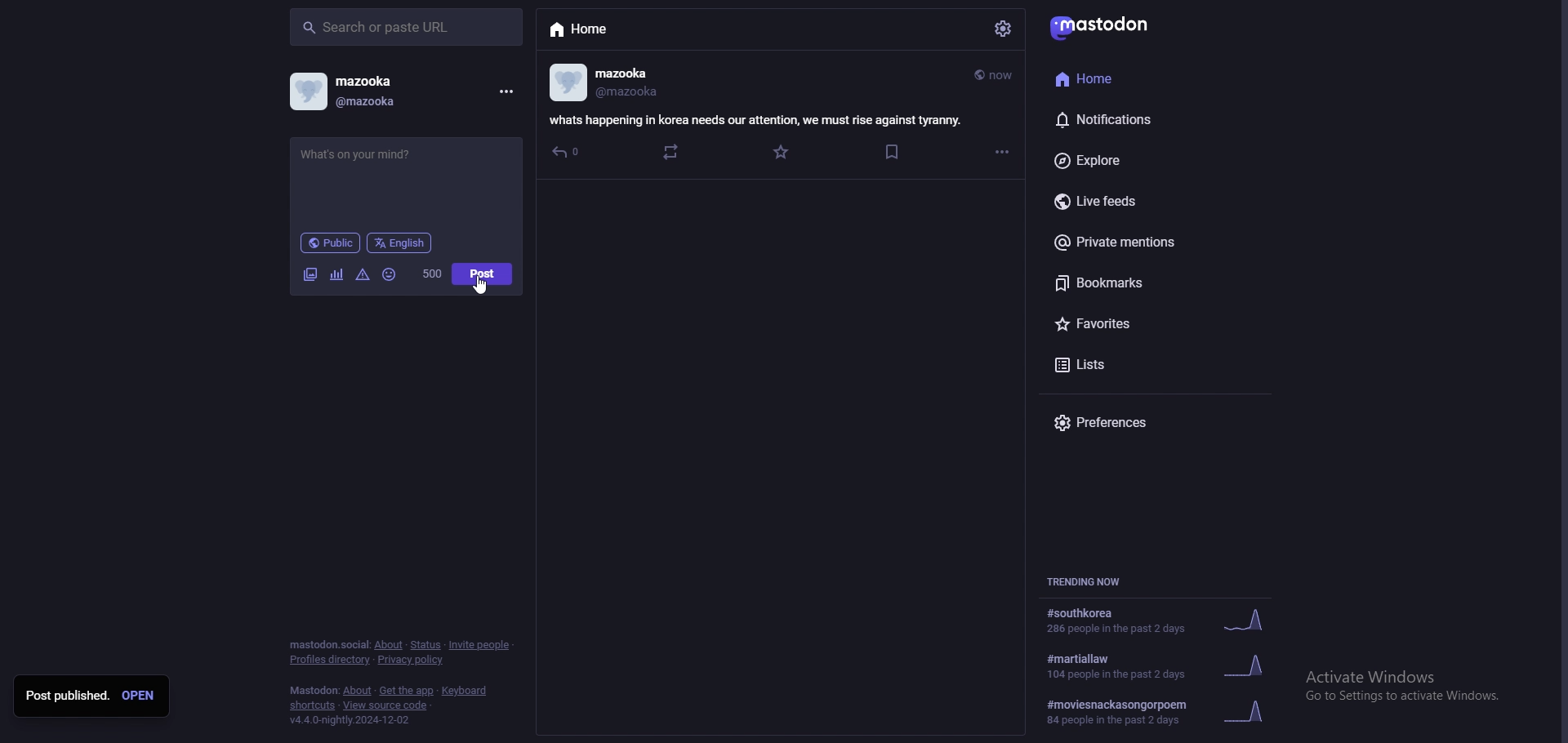  What do you see at coordinates (1090, 580) in the screenshot?
I see `trending now` at bounding box center [1090, 580].